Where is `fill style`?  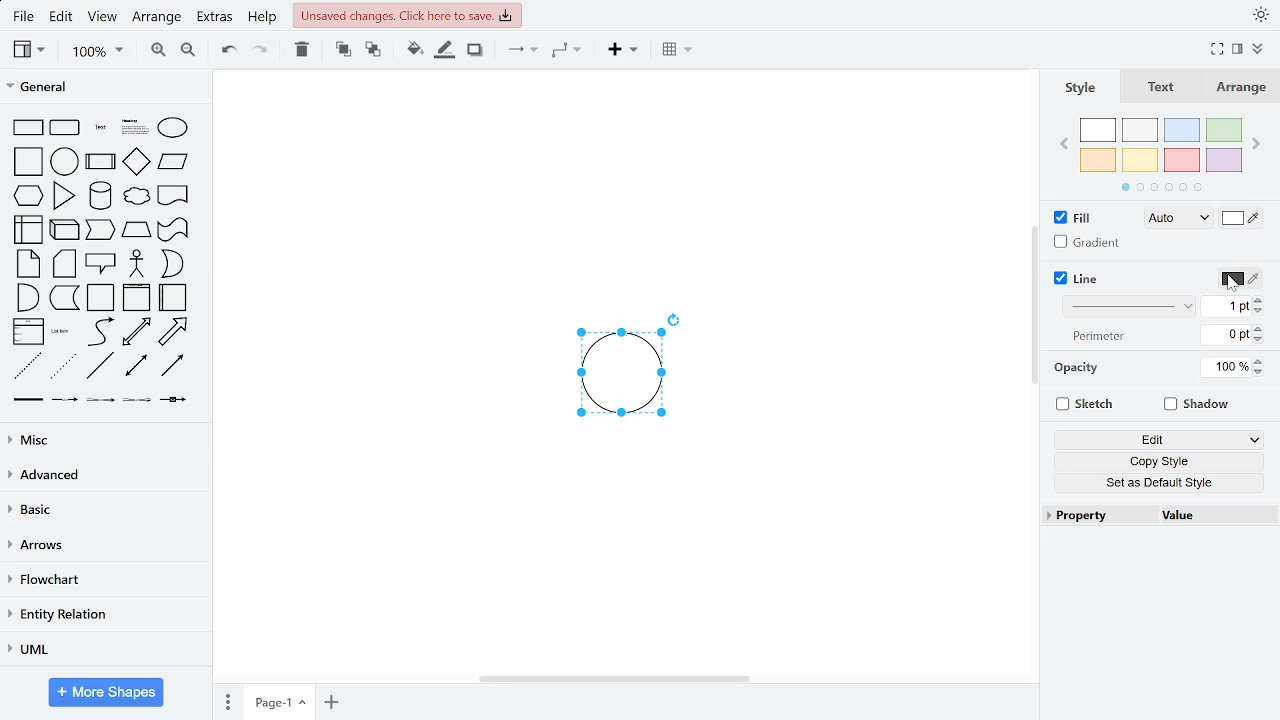 fill style is located at coordinates (1180, 219).